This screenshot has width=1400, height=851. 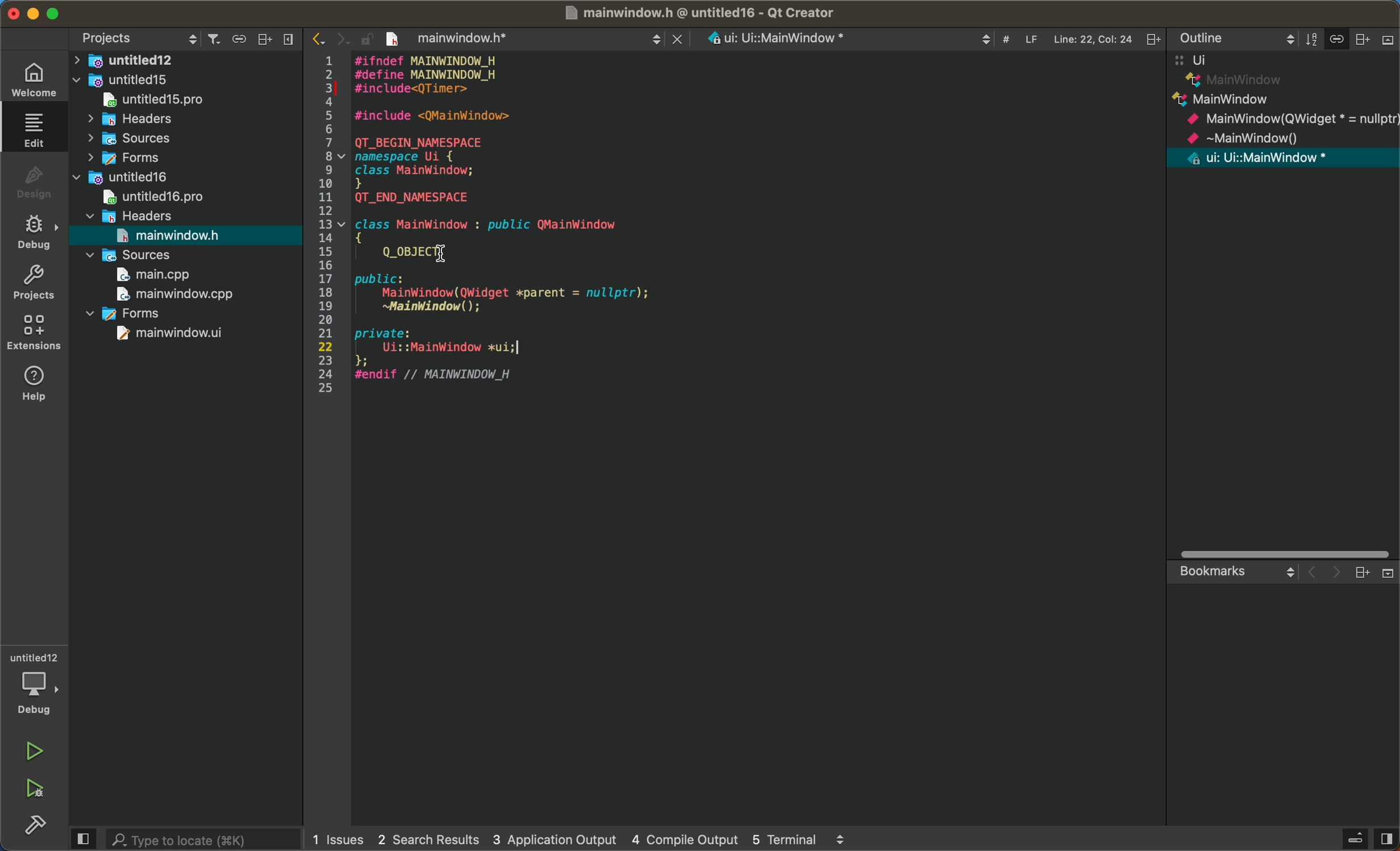 I want to click on new file name, so click(x=465, y=36).